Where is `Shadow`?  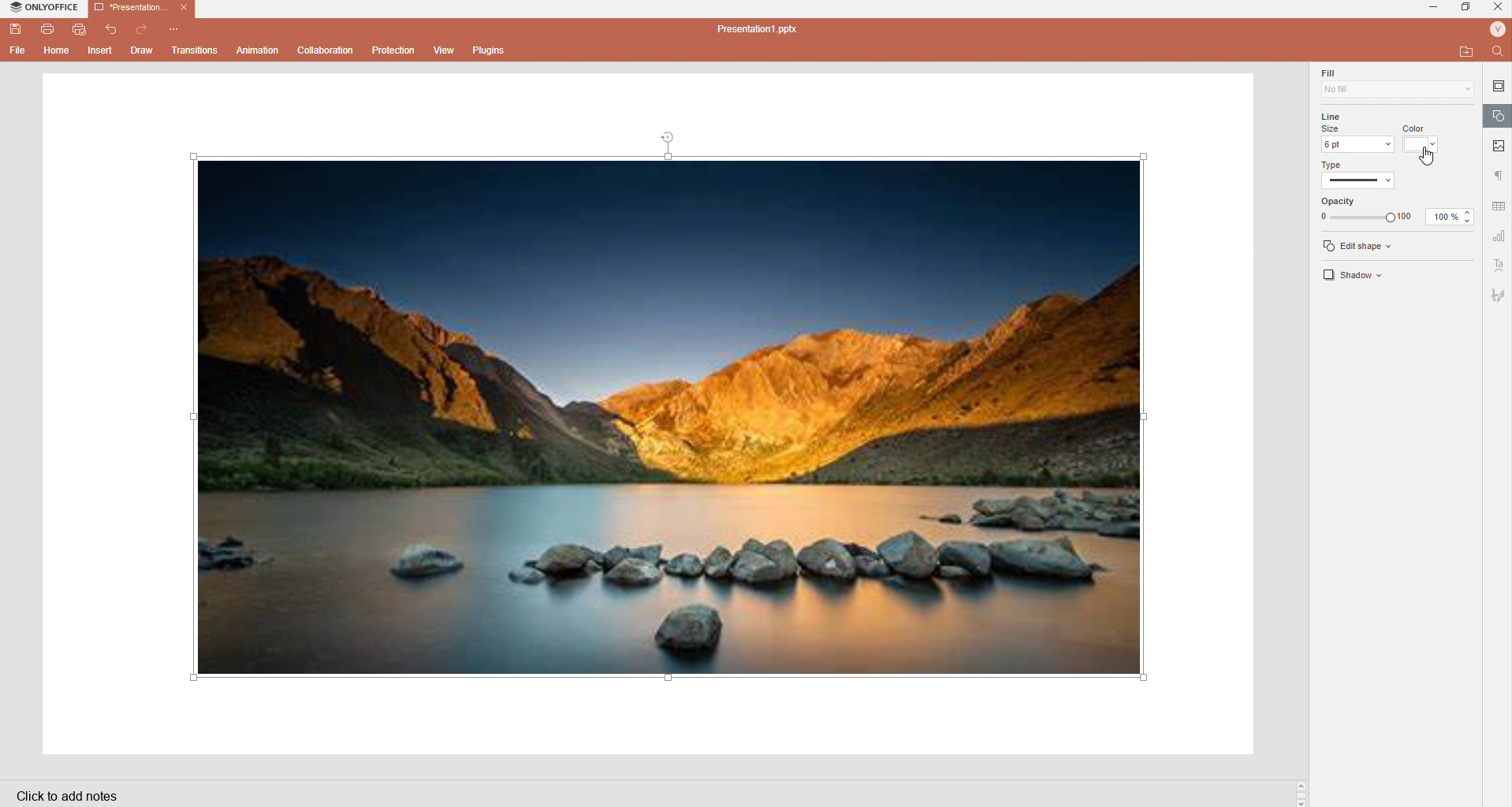
Shadow is located at coordinates (1357, 283).